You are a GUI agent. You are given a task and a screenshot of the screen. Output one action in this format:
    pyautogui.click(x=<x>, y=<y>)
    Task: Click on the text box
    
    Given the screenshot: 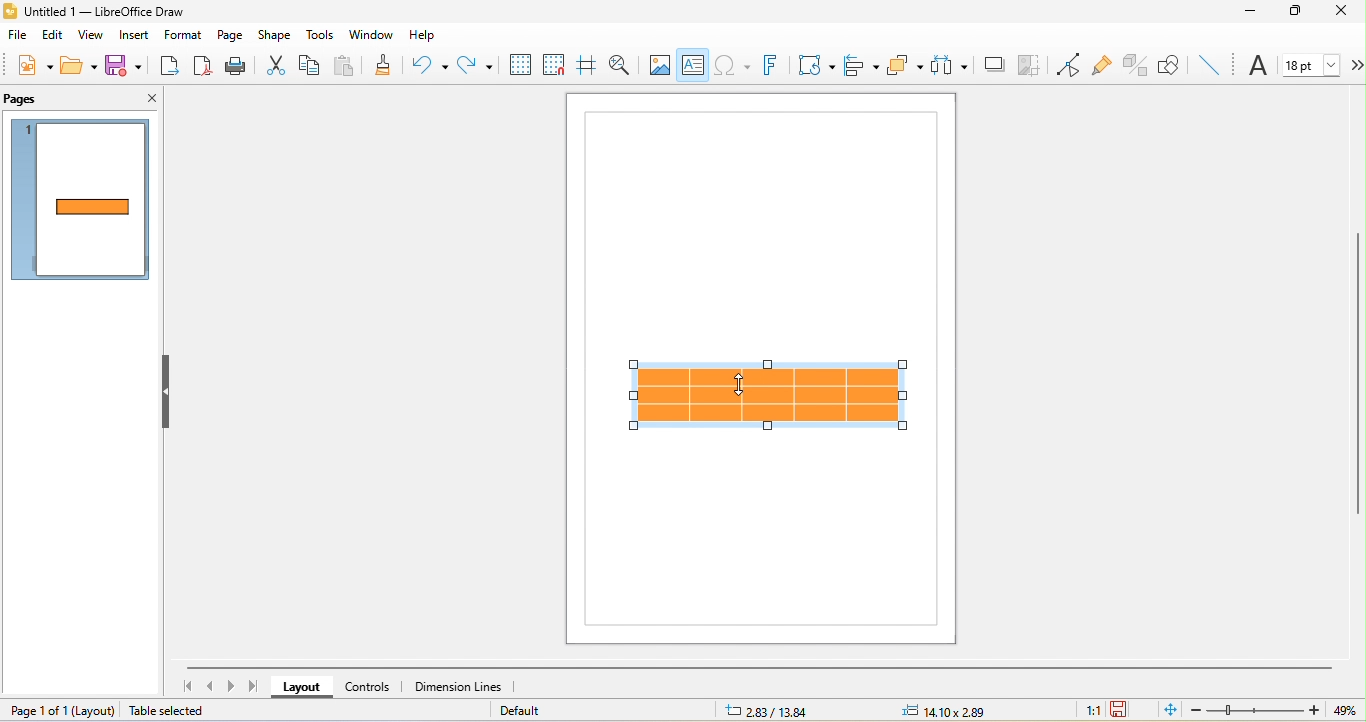 What is the action you would take?
    pyautogui.click(x=693, y=65)
    